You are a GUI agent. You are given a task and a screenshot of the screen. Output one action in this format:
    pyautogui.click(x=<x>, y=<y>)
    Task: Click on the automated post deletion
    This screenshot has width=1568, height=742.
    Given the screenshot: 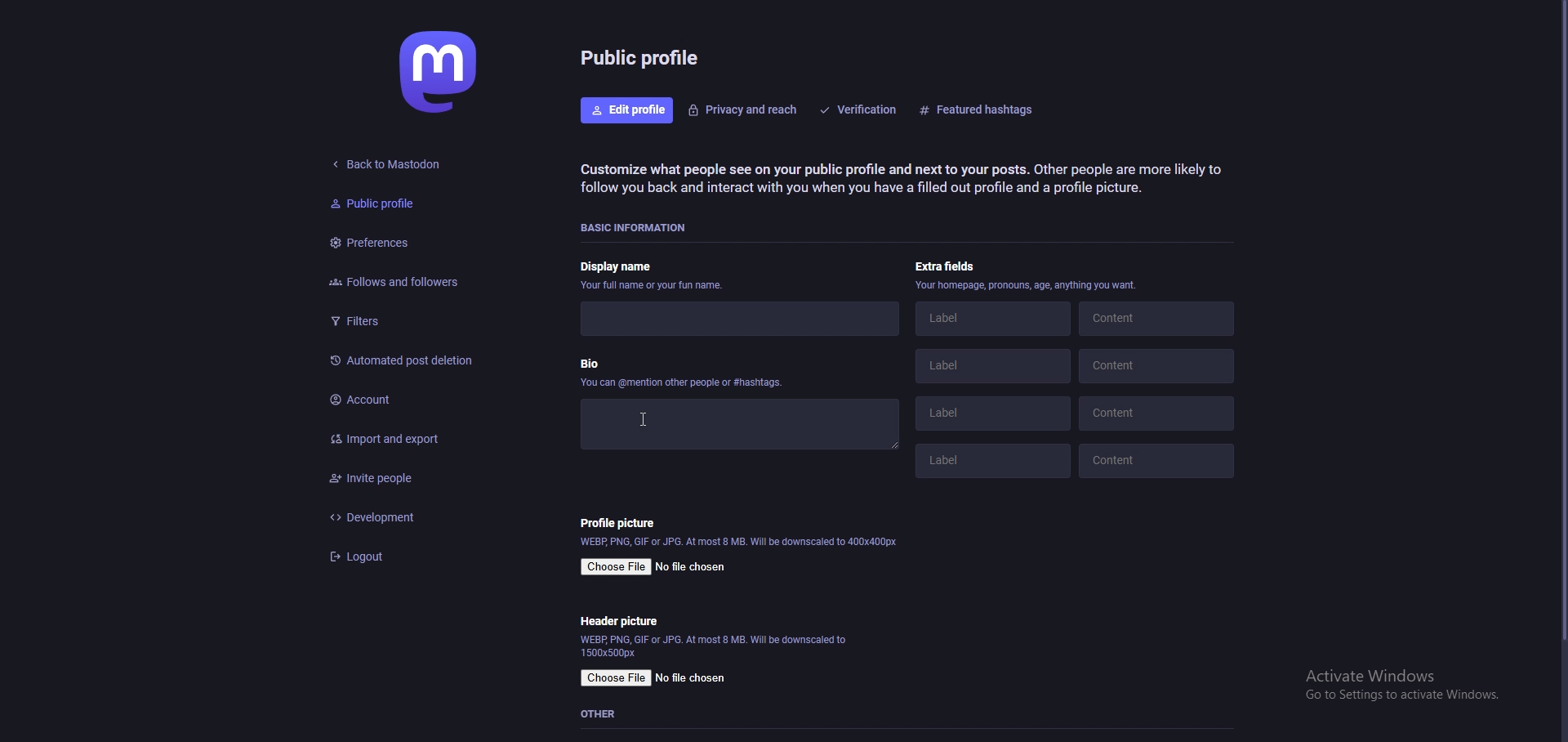 What is the action you would take?
    pyautogui.click(x=413, y=362)
    